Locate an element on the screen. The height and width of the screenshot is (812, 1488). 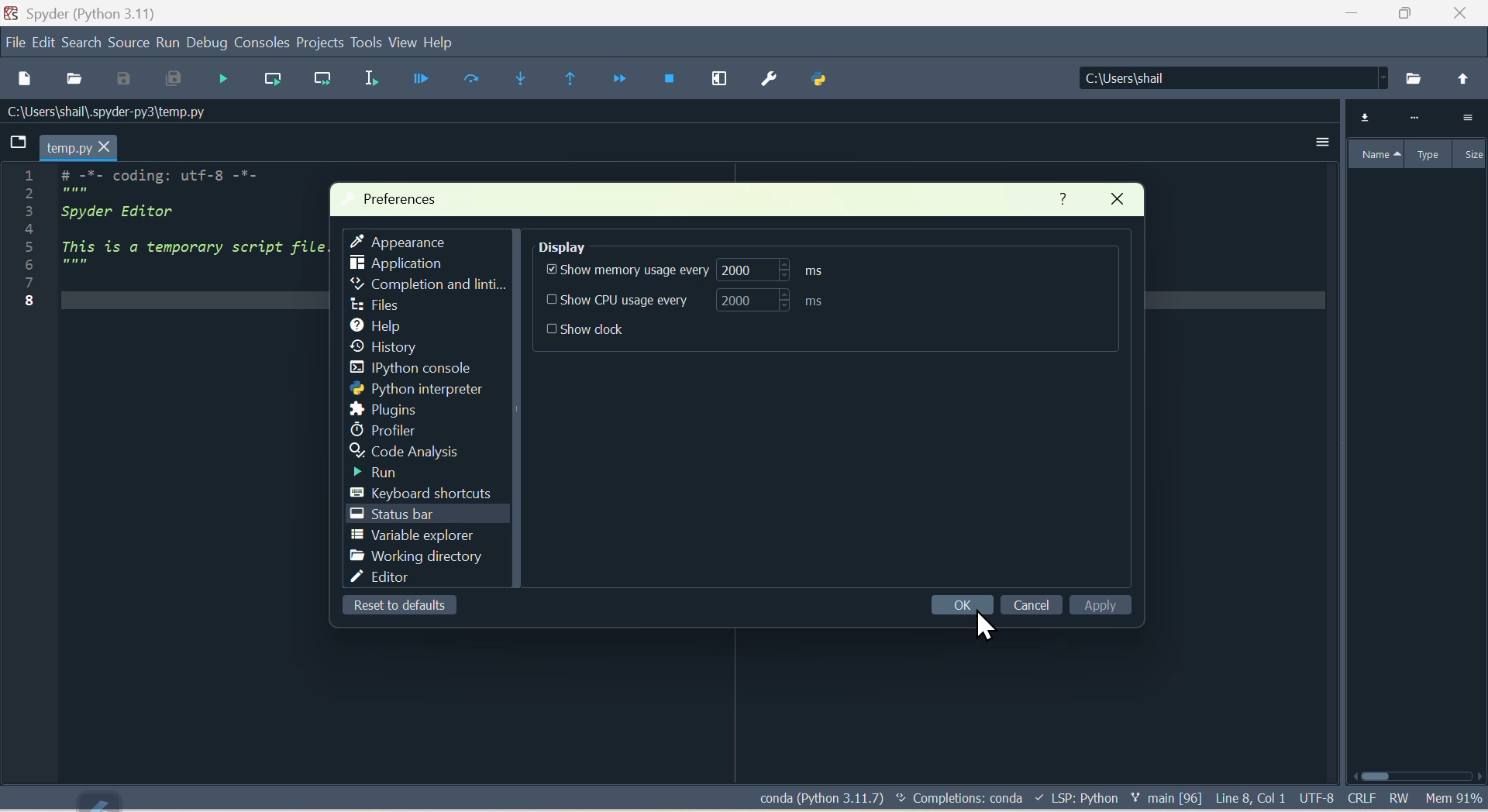
Close is located at coordinates (1465, 15).